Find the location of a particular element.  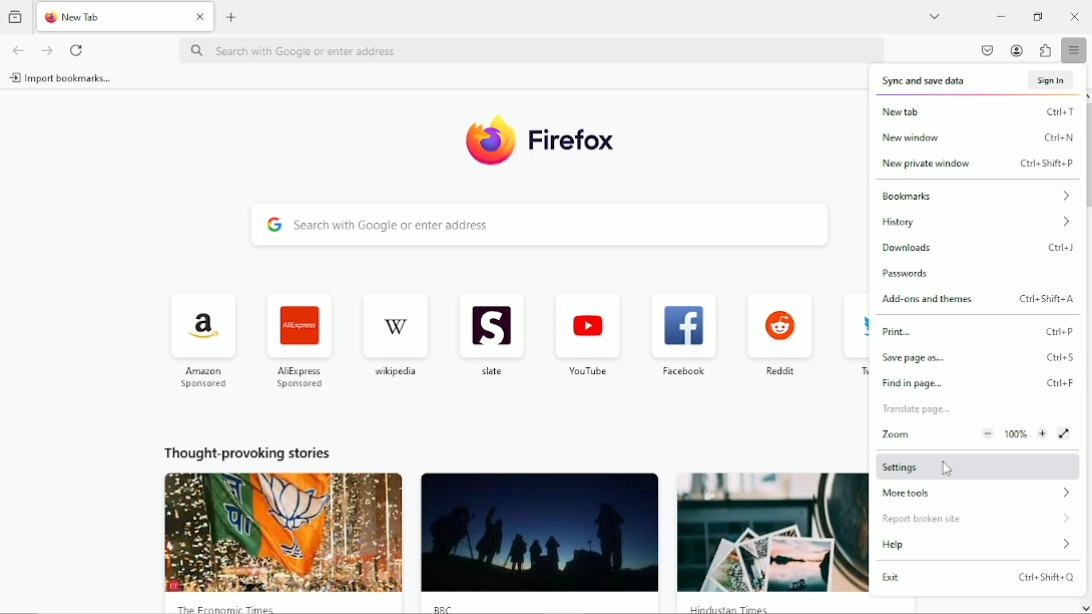

minimize is located at coordinates (1002, 15).